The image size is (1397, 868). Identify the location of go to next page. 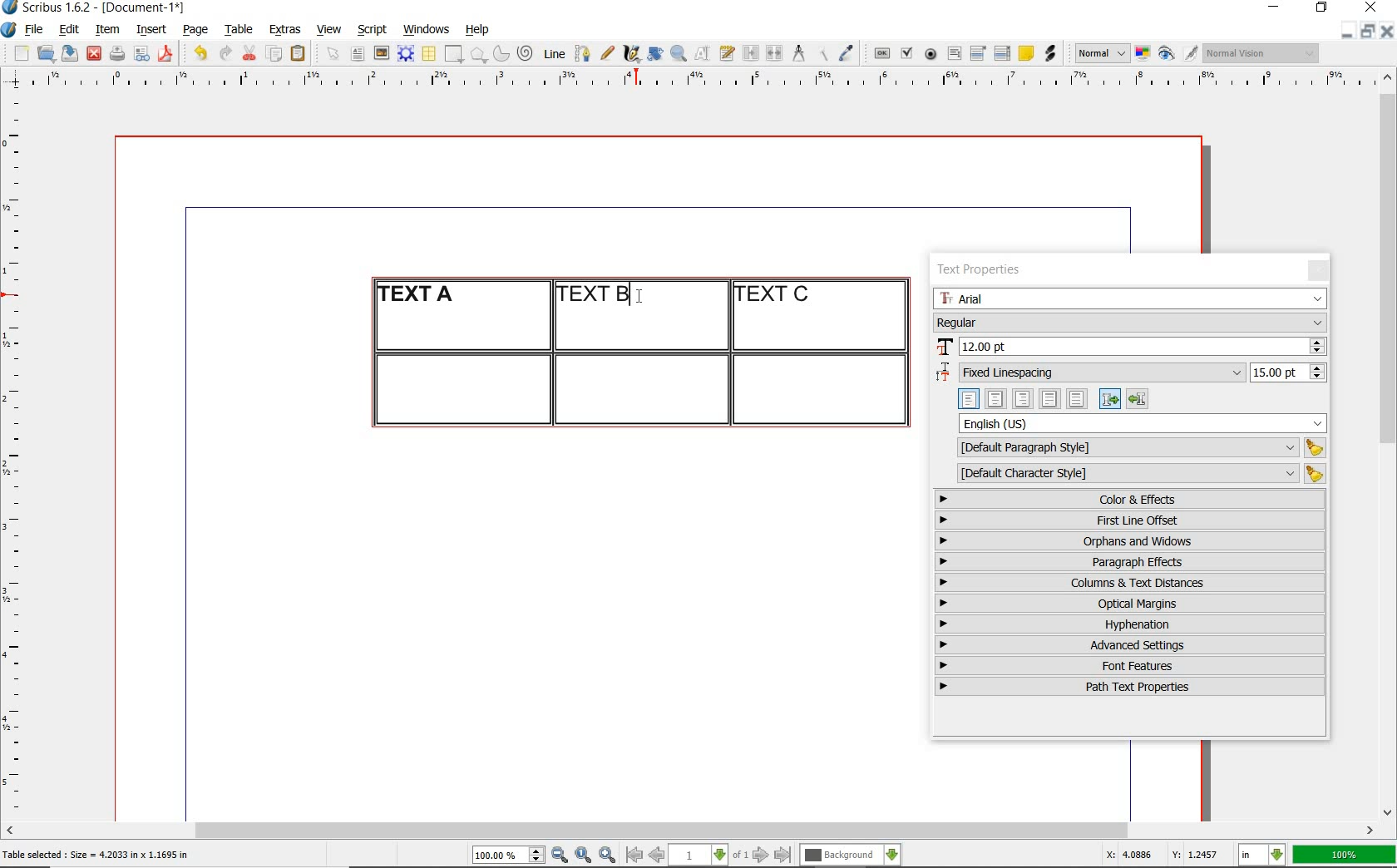
(761, 856).